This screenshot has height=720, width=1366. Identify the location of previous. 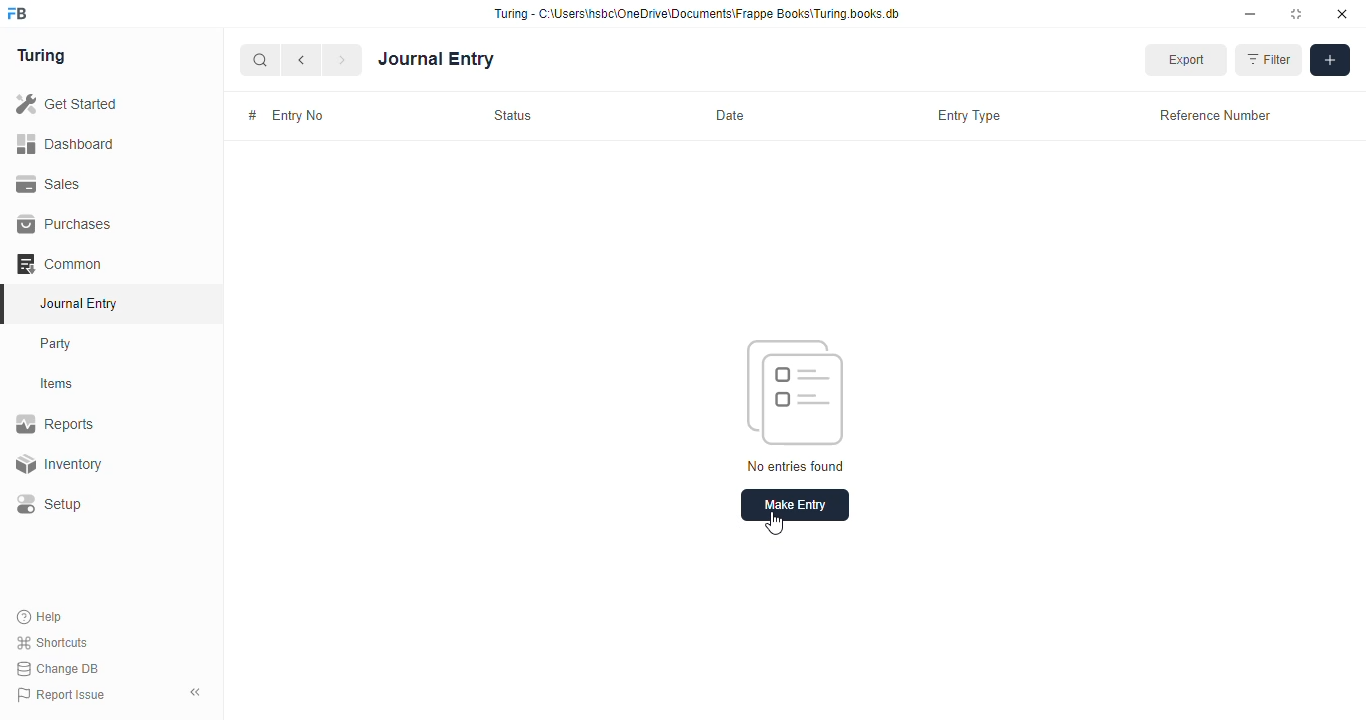
(303, 60).